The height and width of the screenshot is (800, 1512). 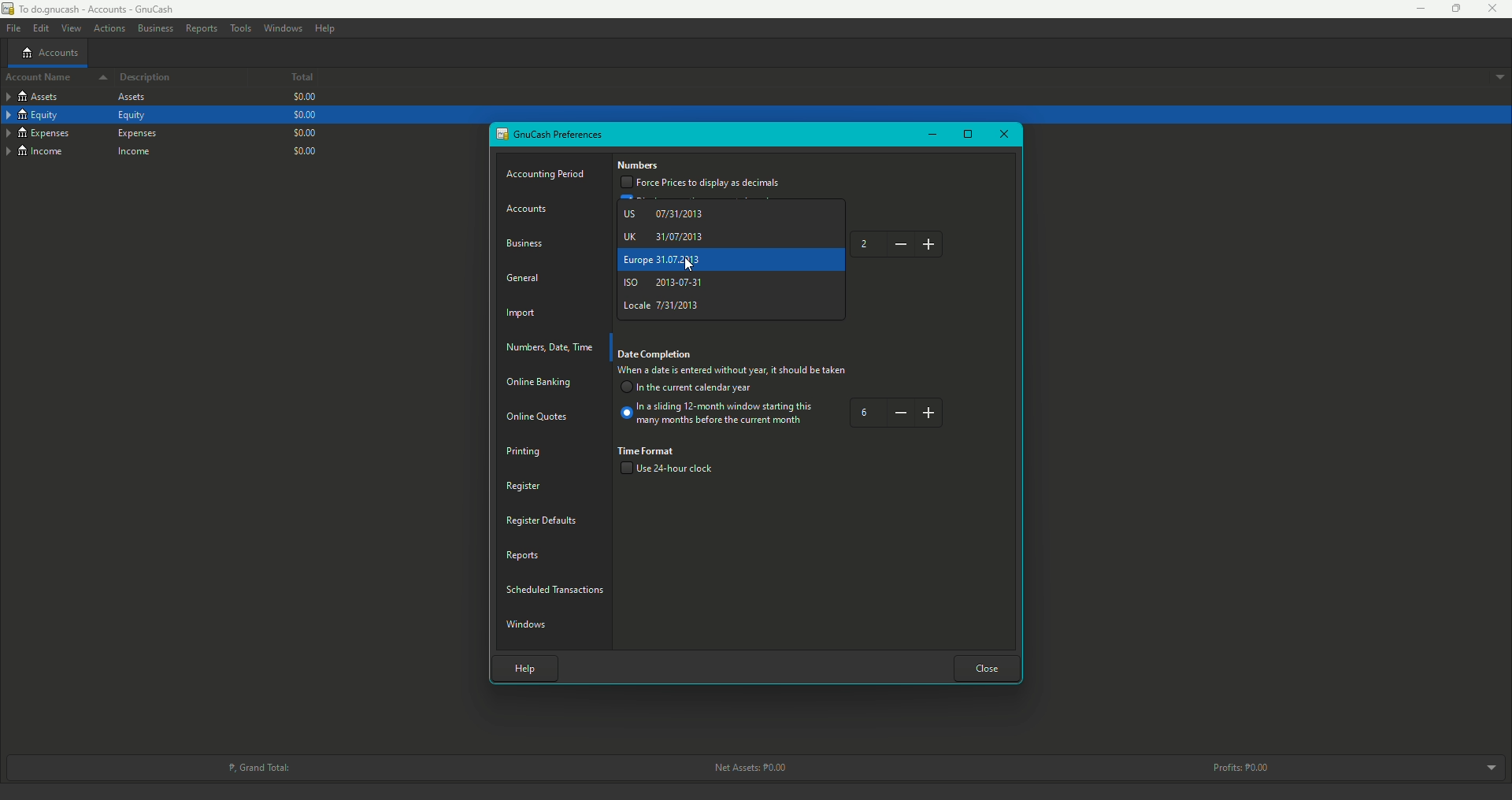 What do you see at coordinates (303, 131) in the screenshot?
I see `$0` at bounding box center [303, 131].